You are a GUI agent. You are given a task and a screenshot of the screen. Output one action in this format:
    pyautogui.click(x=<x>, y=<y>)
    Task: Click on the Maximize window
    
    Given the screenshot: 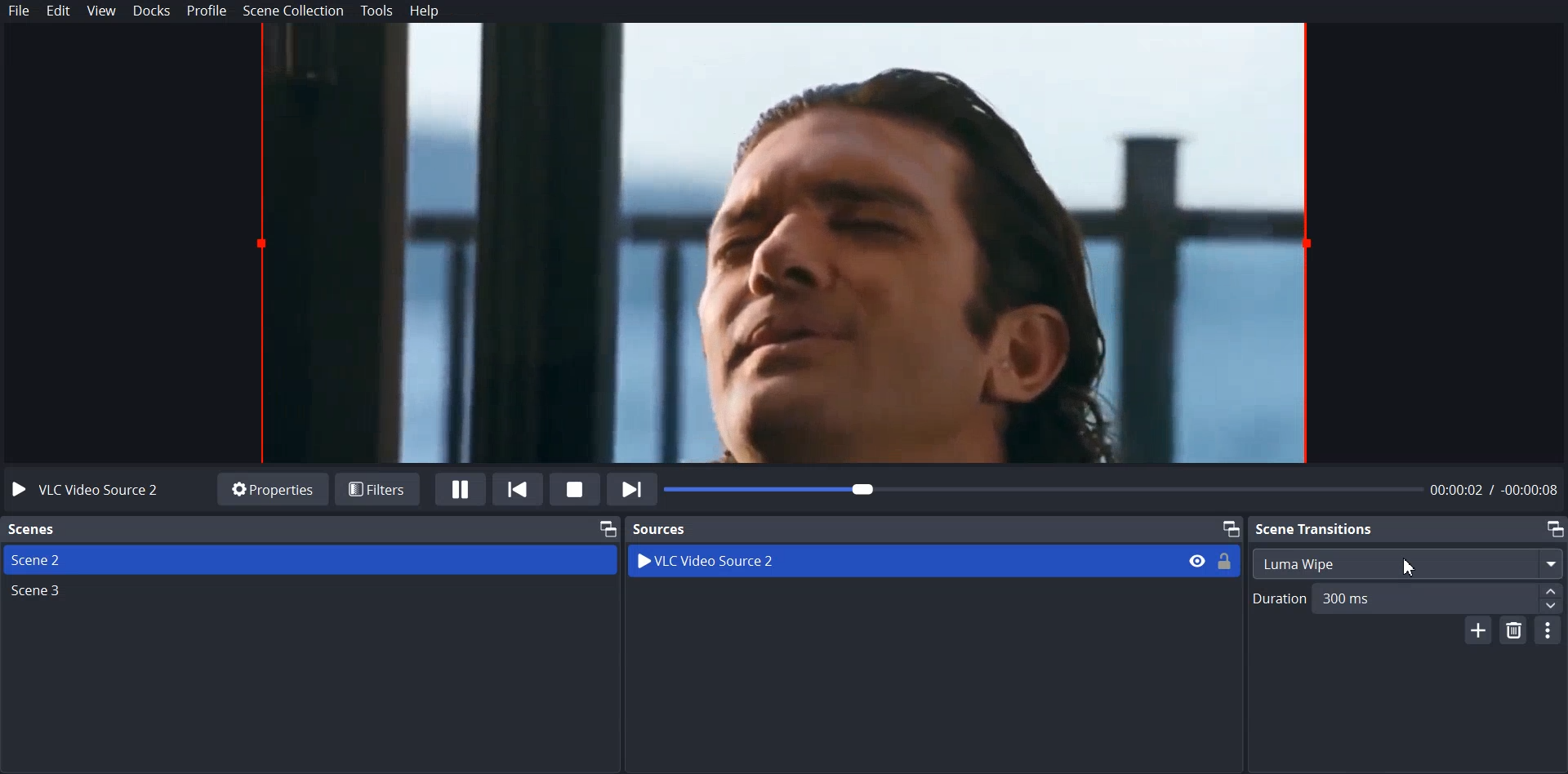 What is the action you would take?
    pyautogui.click(x=1554, y=528)
    